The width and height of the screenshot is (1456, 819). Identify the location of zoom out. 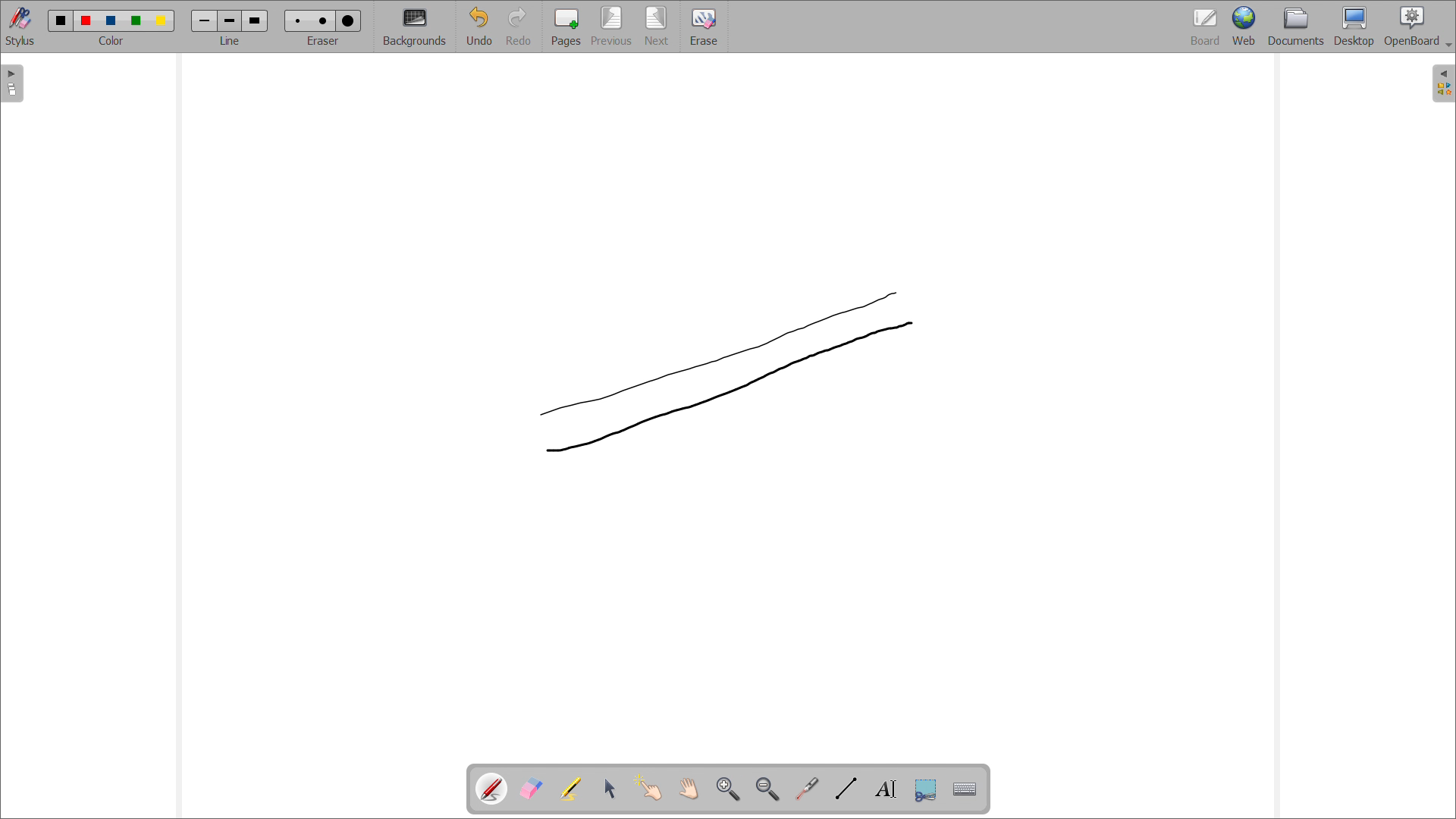
(768, 789).